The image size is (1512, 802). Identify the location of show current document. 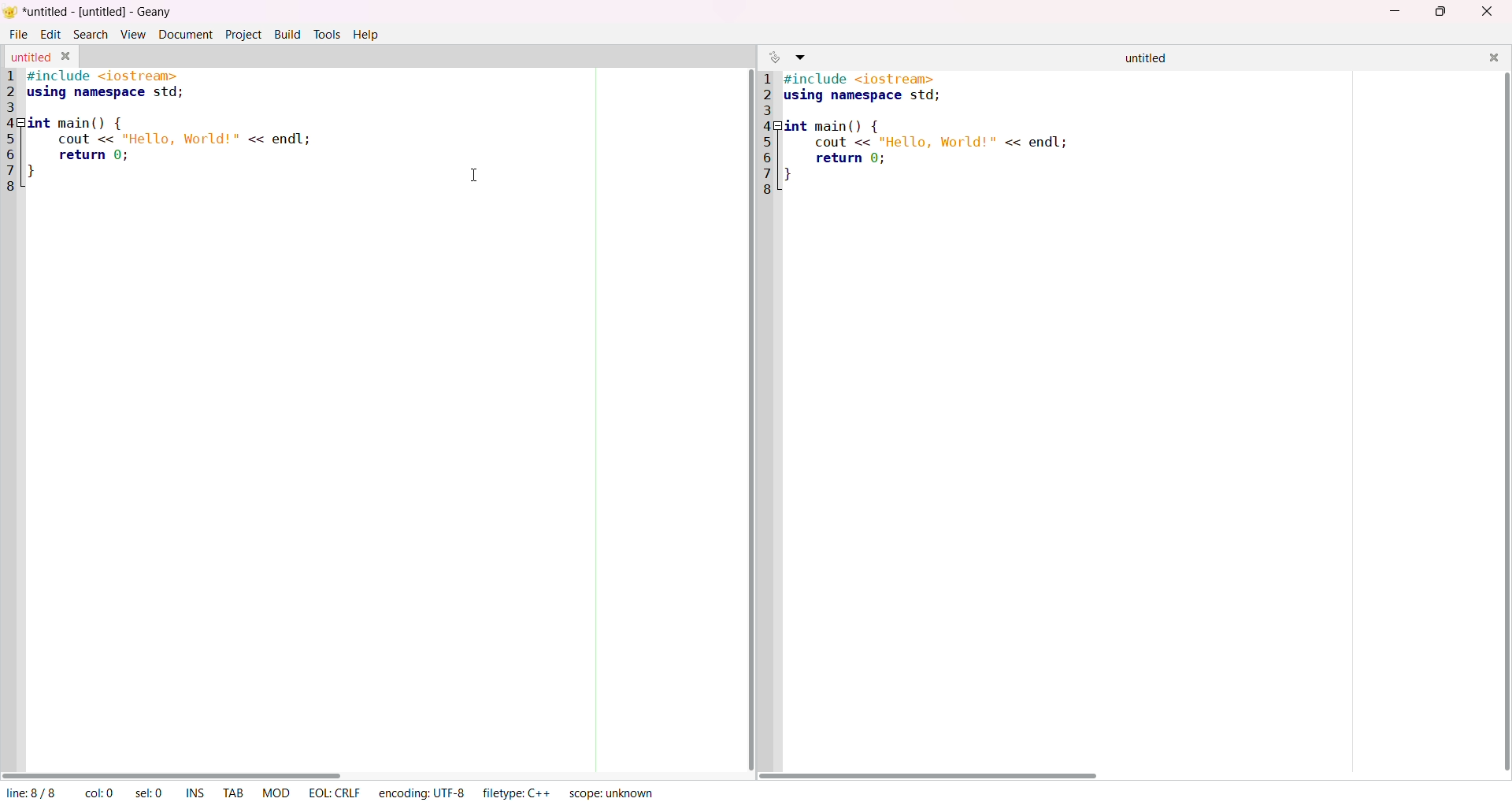
(773, 57).